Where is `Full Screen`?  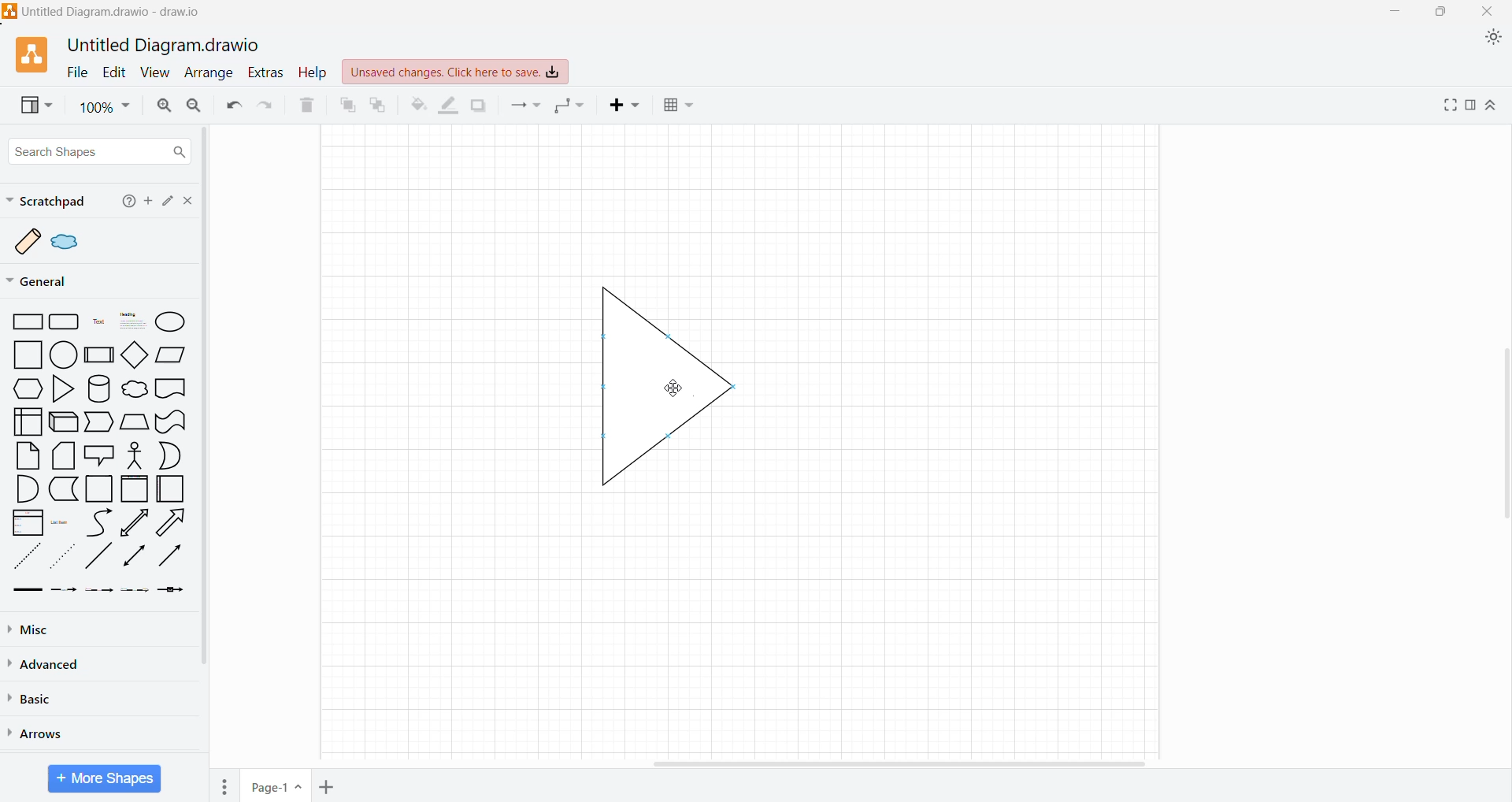 Full Screen is located at coordinates (1447, 105).